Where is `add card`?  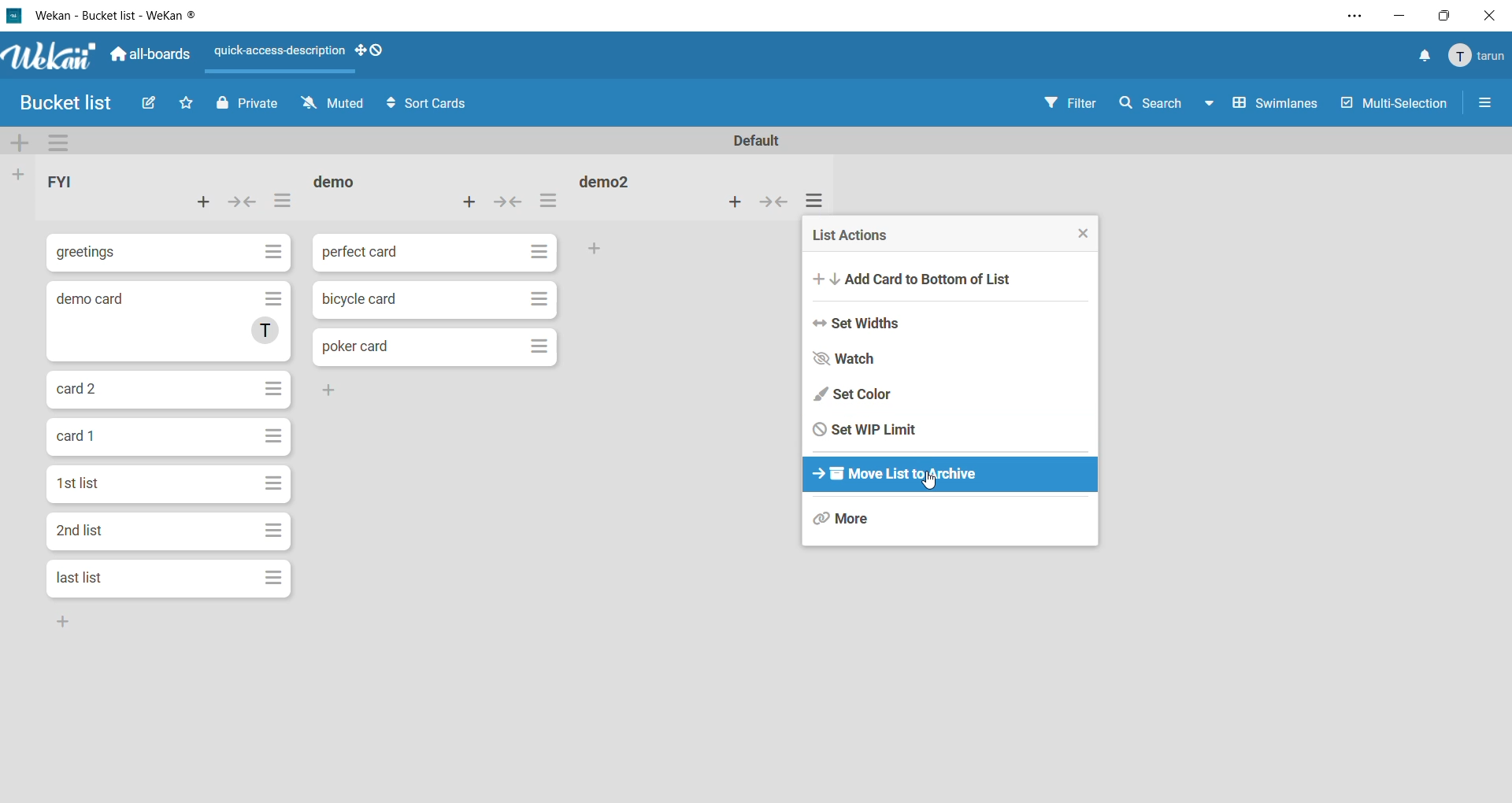 add card is located at coordinates (733, 204).